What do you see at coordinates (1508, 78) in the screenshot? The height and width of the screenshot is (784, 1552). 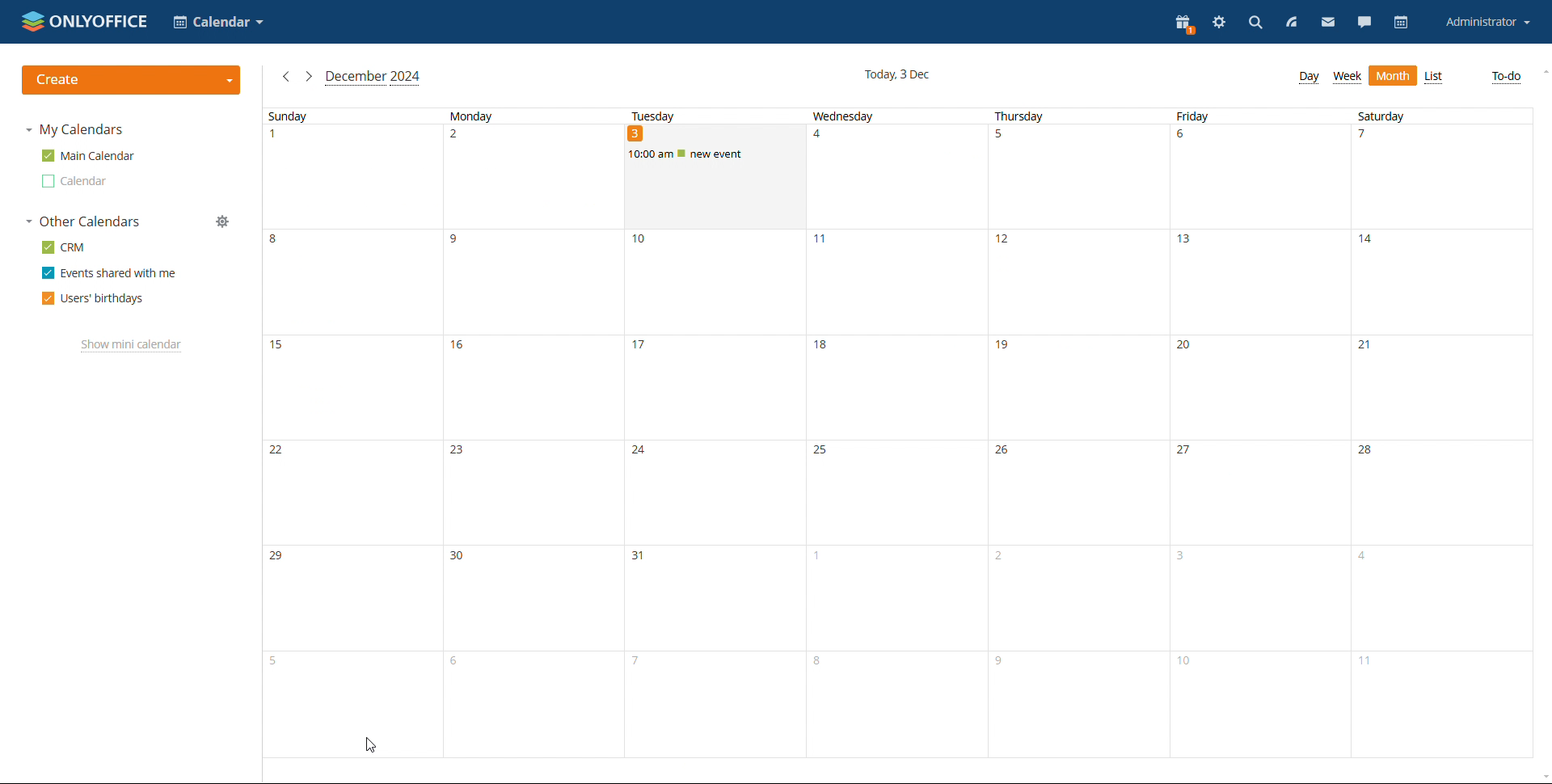 I see `to do` at bounding box center [1508, 78].